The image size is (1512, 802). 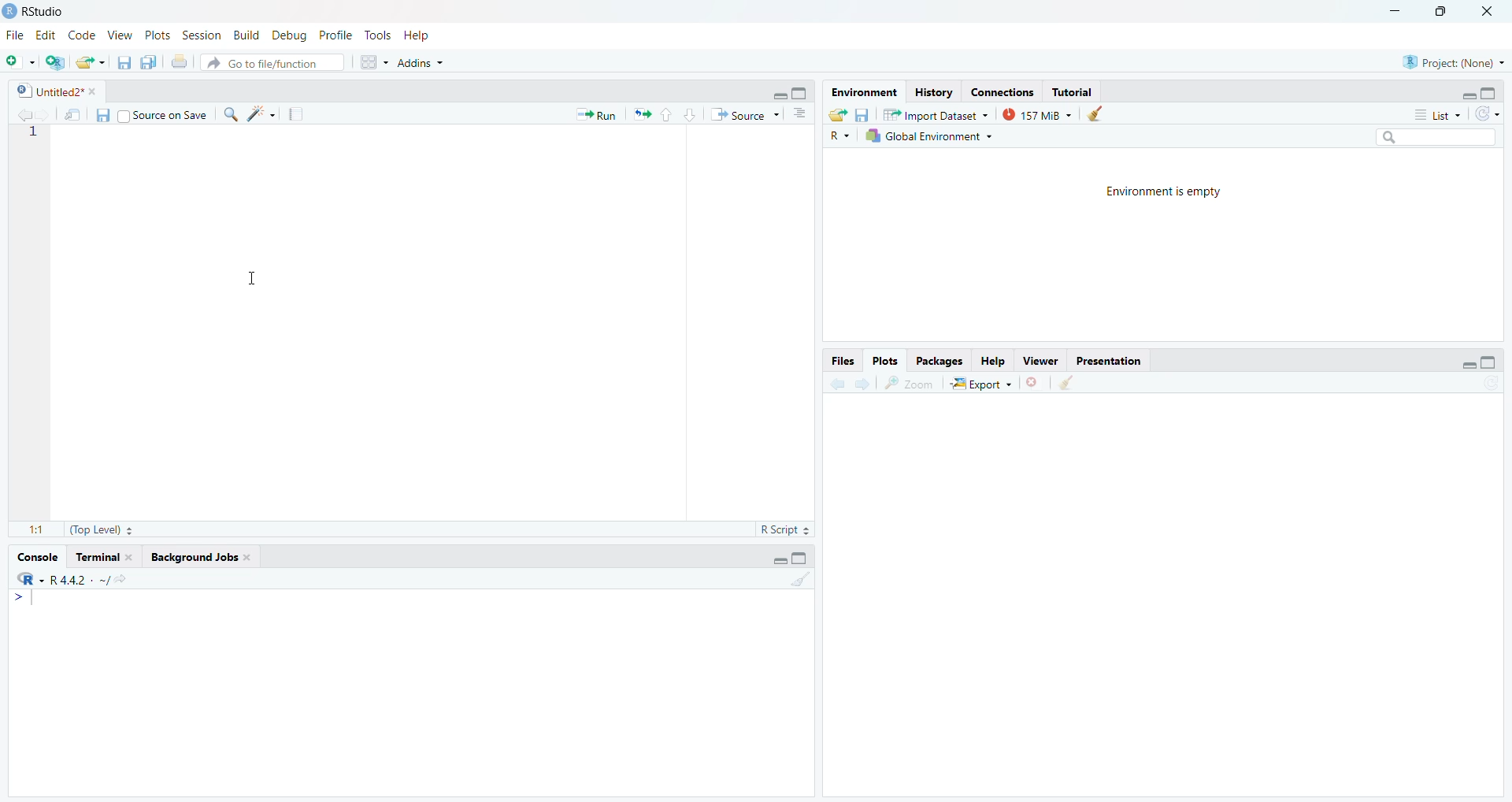 What do you see at coordinates (837, 114) in the screenshot?
I see `load workspace` at bounding box center [837, 114].